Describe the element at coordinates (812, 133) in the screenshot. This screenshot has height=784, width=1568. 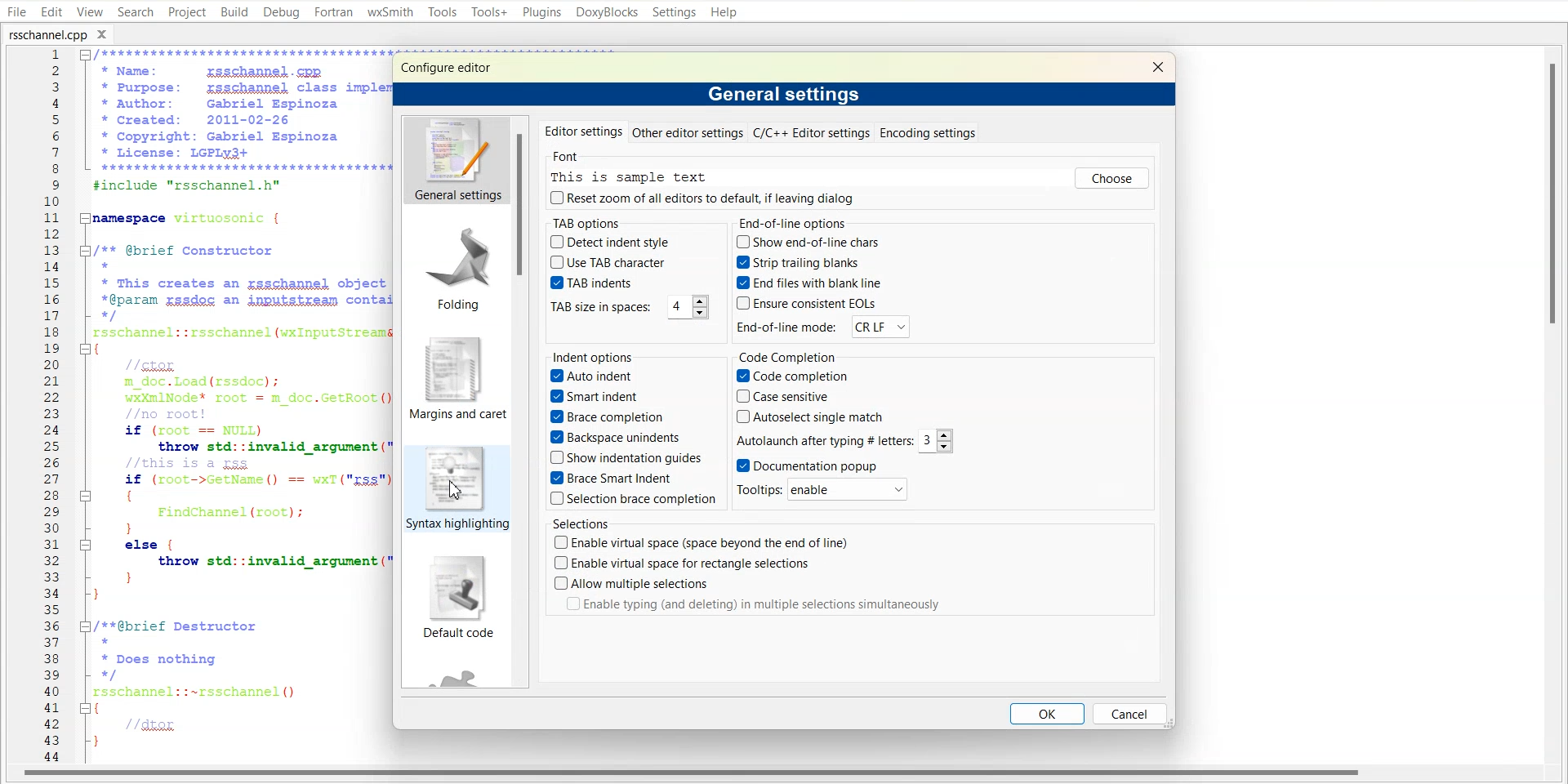
I see `C/C++ Editor settings` at that location.